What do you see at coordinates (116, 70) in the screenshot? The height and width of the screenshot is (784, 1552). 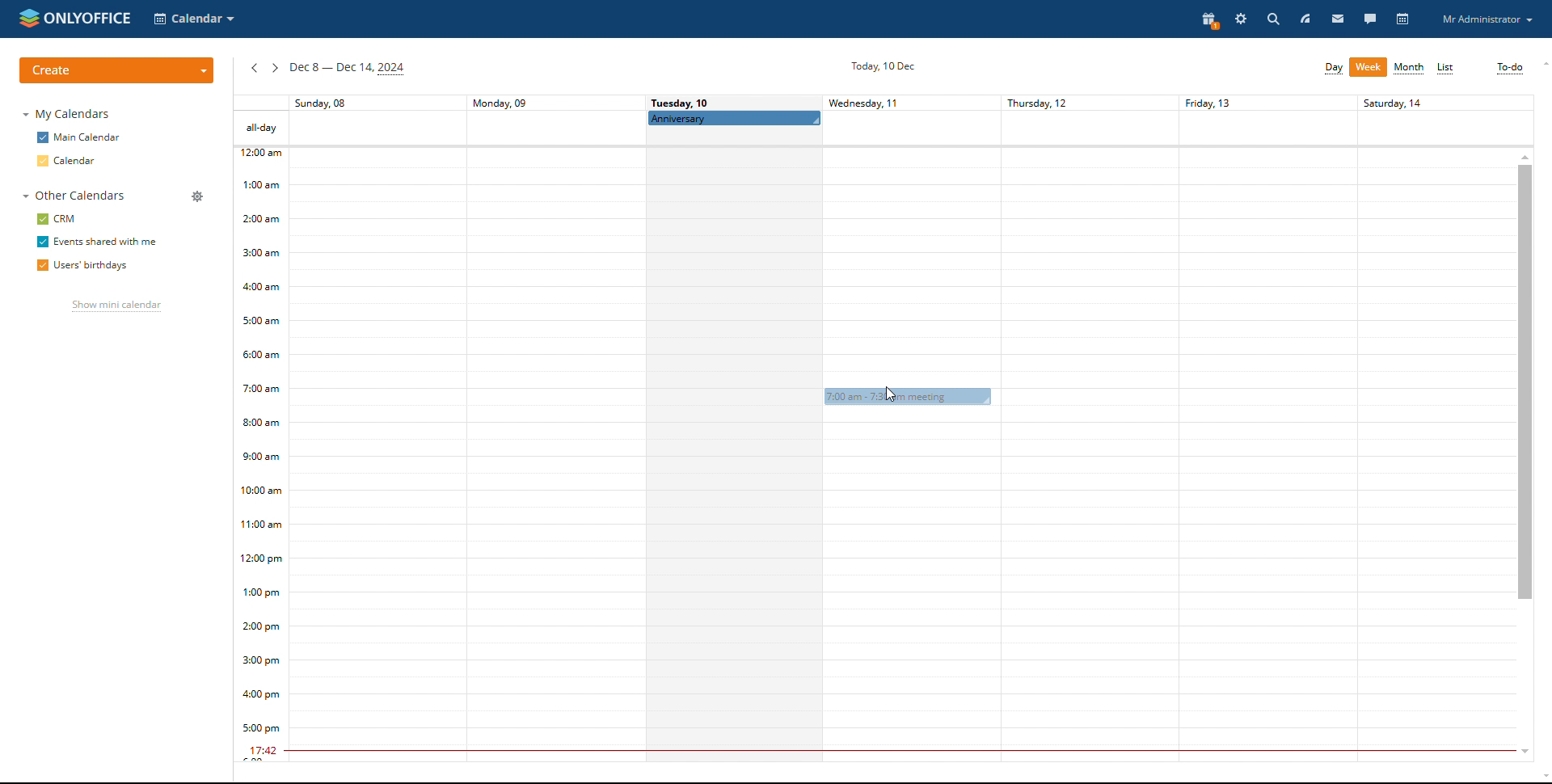 I see `create` at bounding box center [116, 70].